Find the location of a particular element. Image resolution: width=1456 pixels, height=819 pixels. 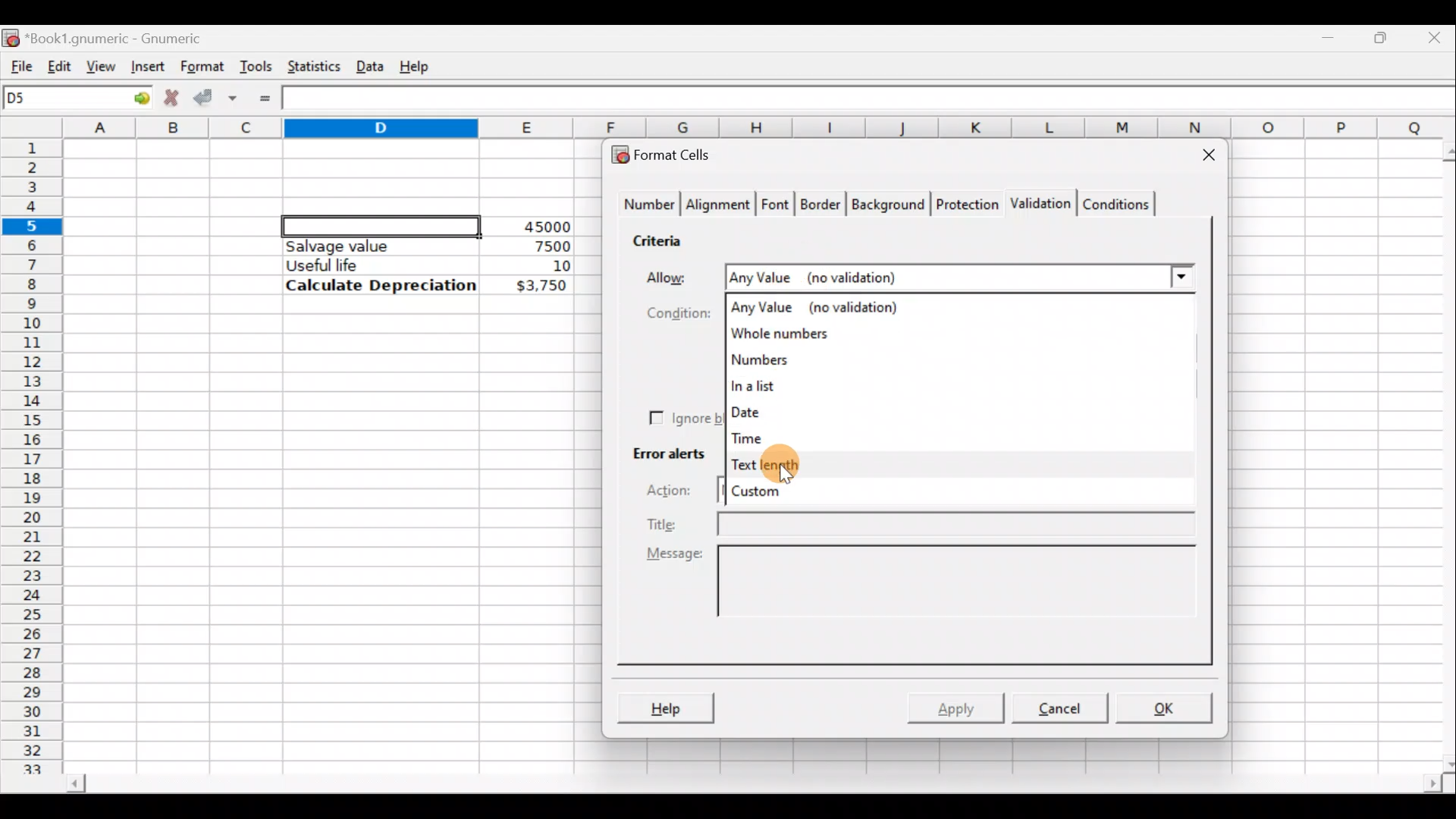

Date is located at coordinates (772, 410).